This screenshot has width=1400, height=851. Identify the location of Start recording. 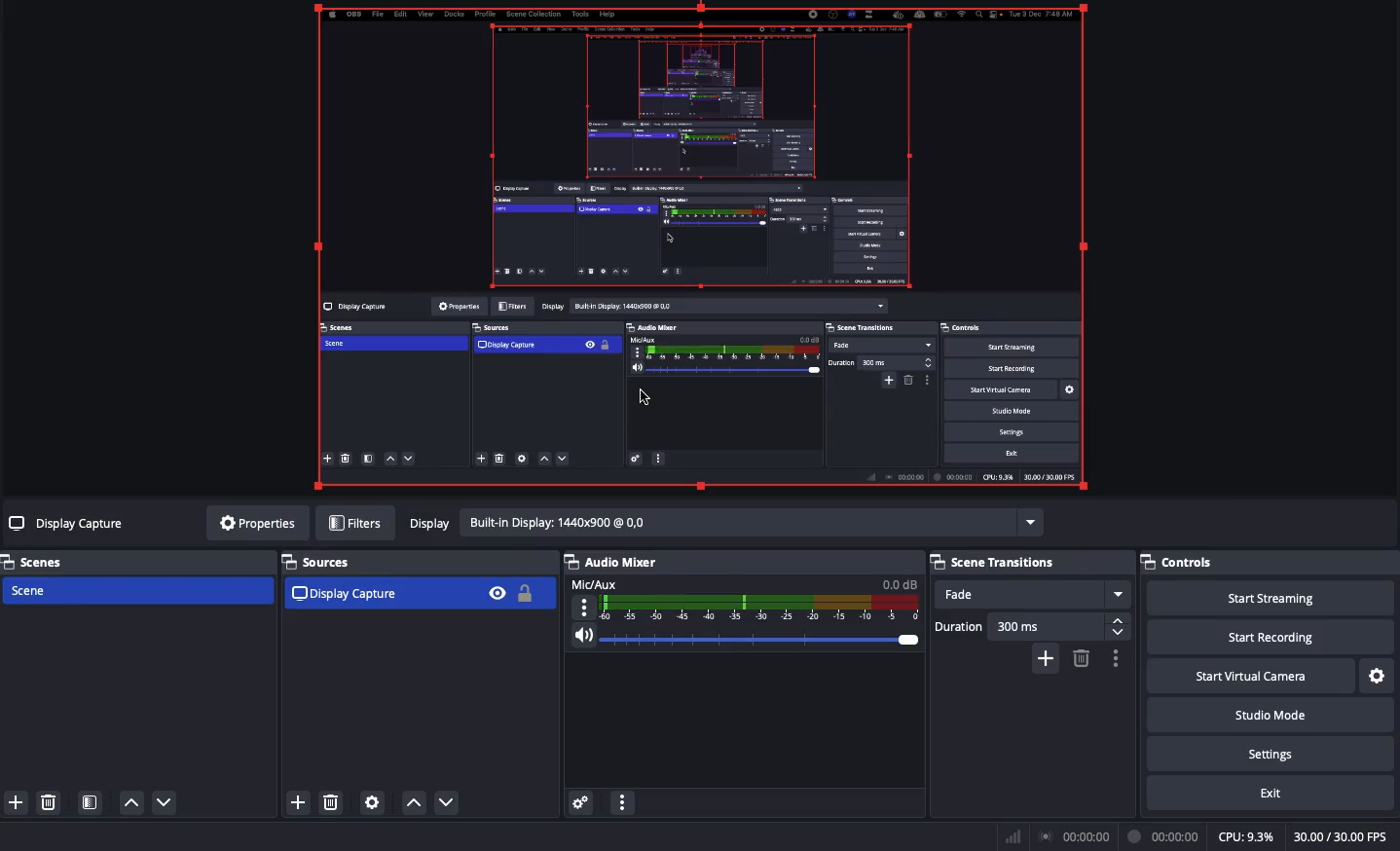
(1267, 637).